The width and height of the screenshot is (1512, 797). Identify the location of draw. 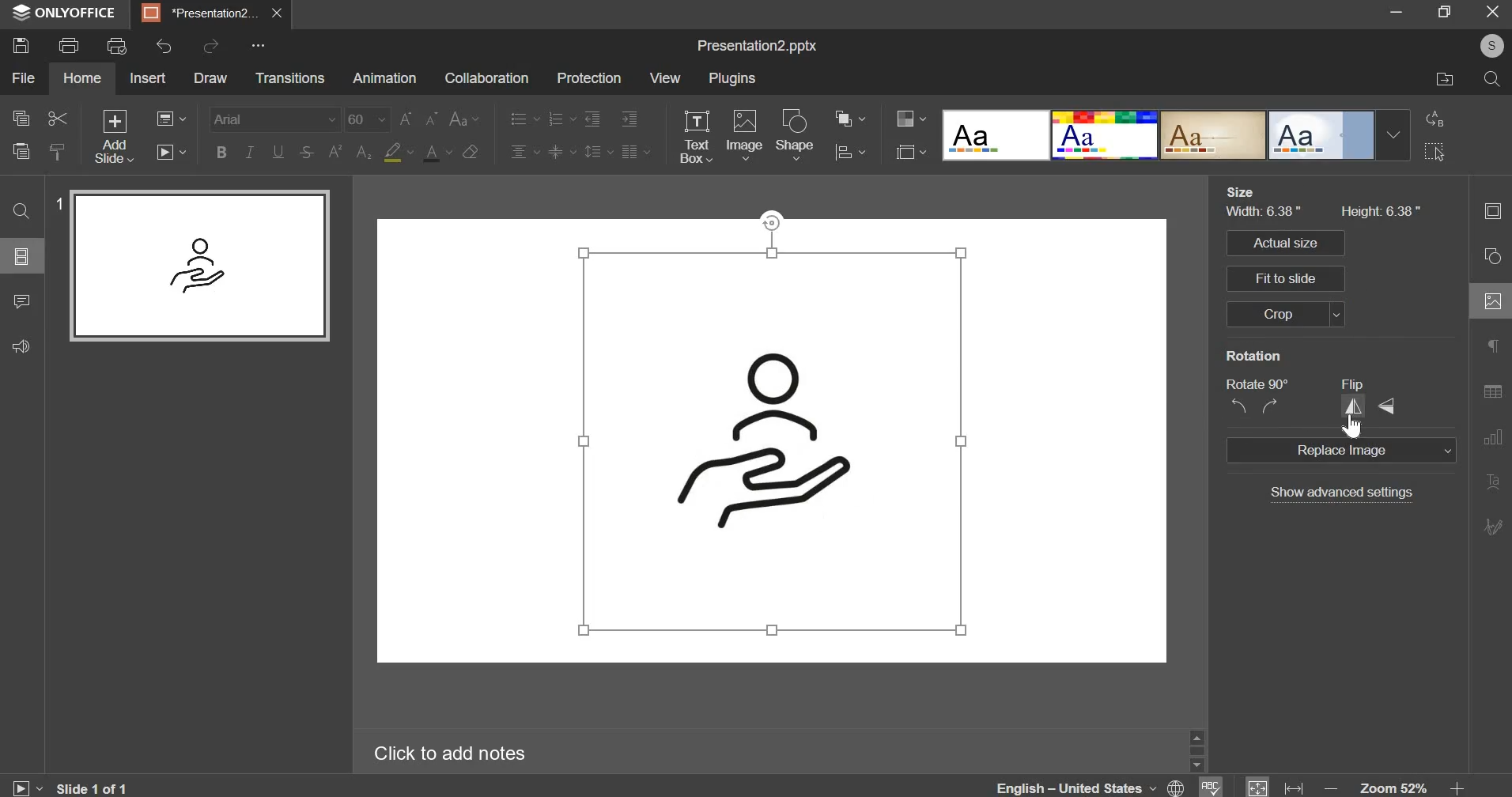
(210, 77).